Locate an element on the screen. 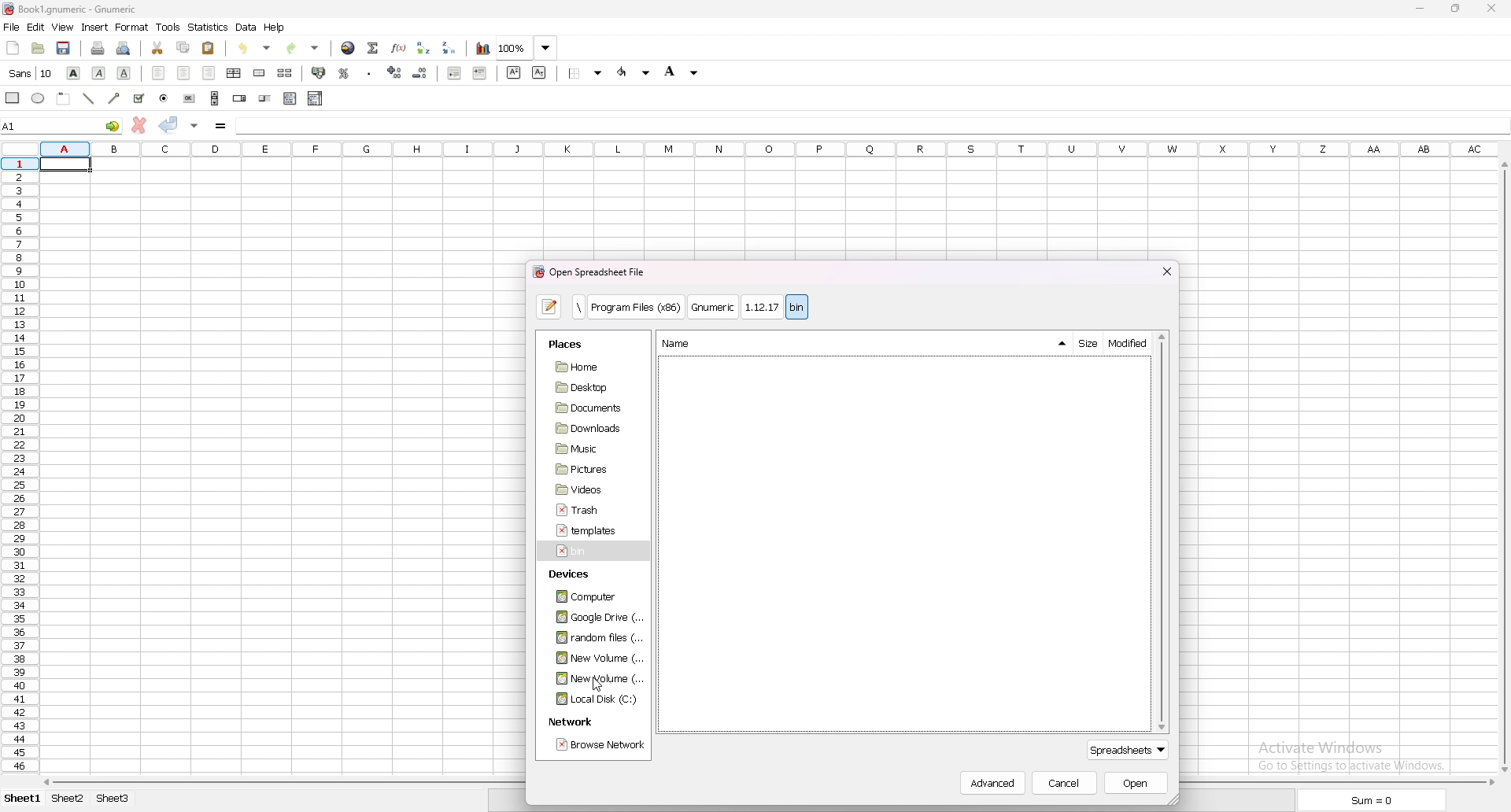 The width and height of the screenshot is (1511, 812). bin is located at coordinates (797, 308).